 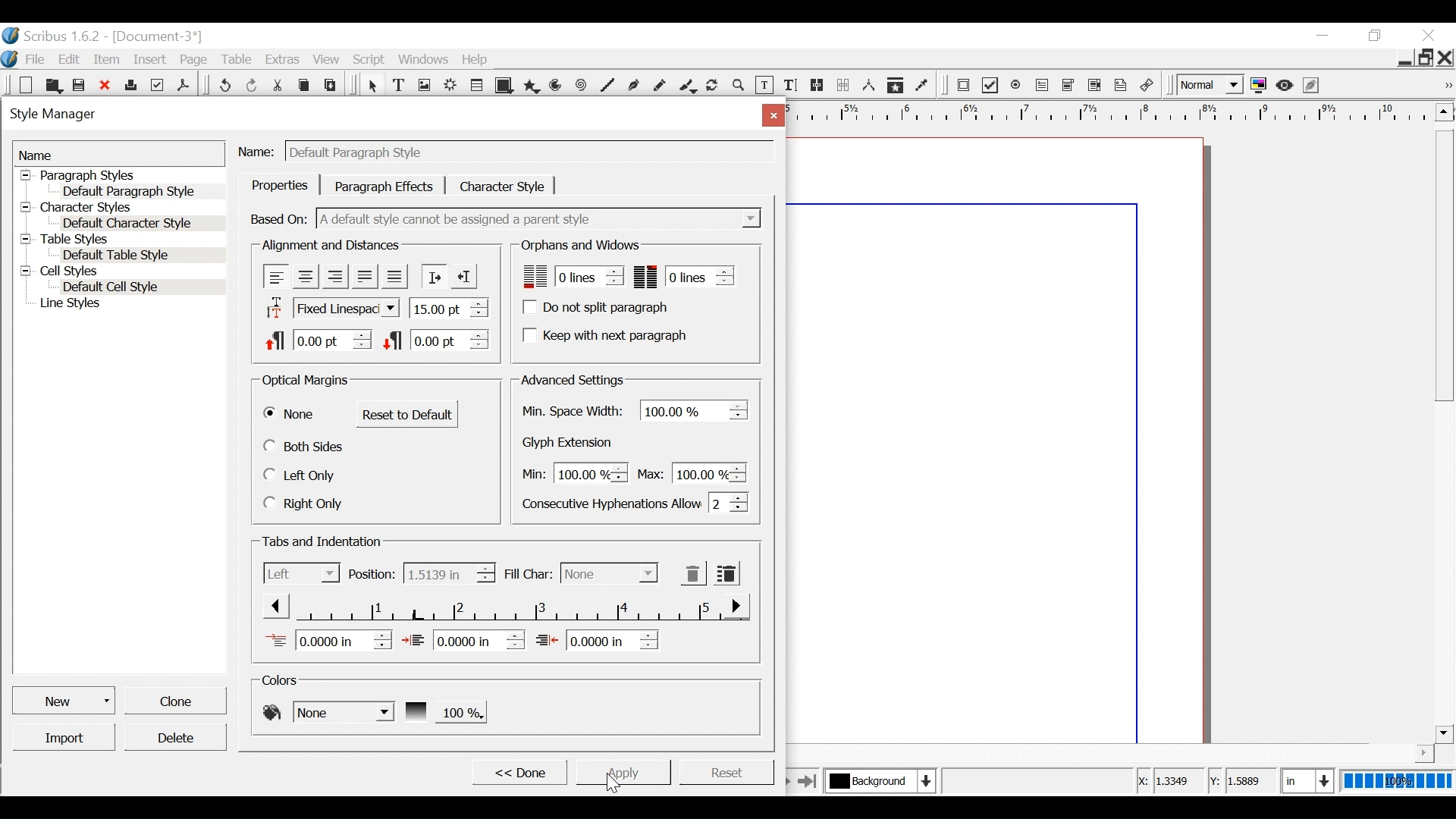 What do you see at coordinates (280, 185) in the screenshot?
I see `Properties` at bounding box center [280, 185].